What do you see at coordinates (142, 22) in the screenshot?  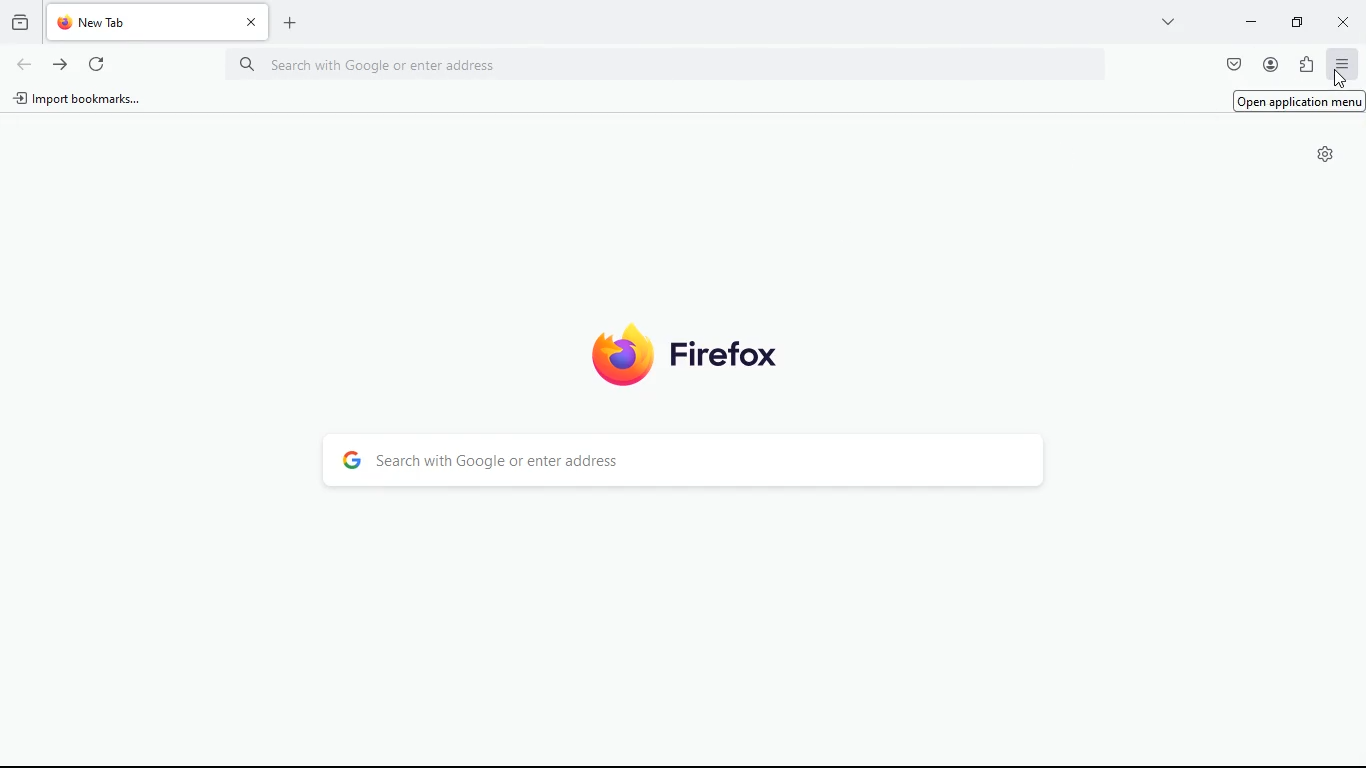 I see `new tab` at bounding box center [142, 22].